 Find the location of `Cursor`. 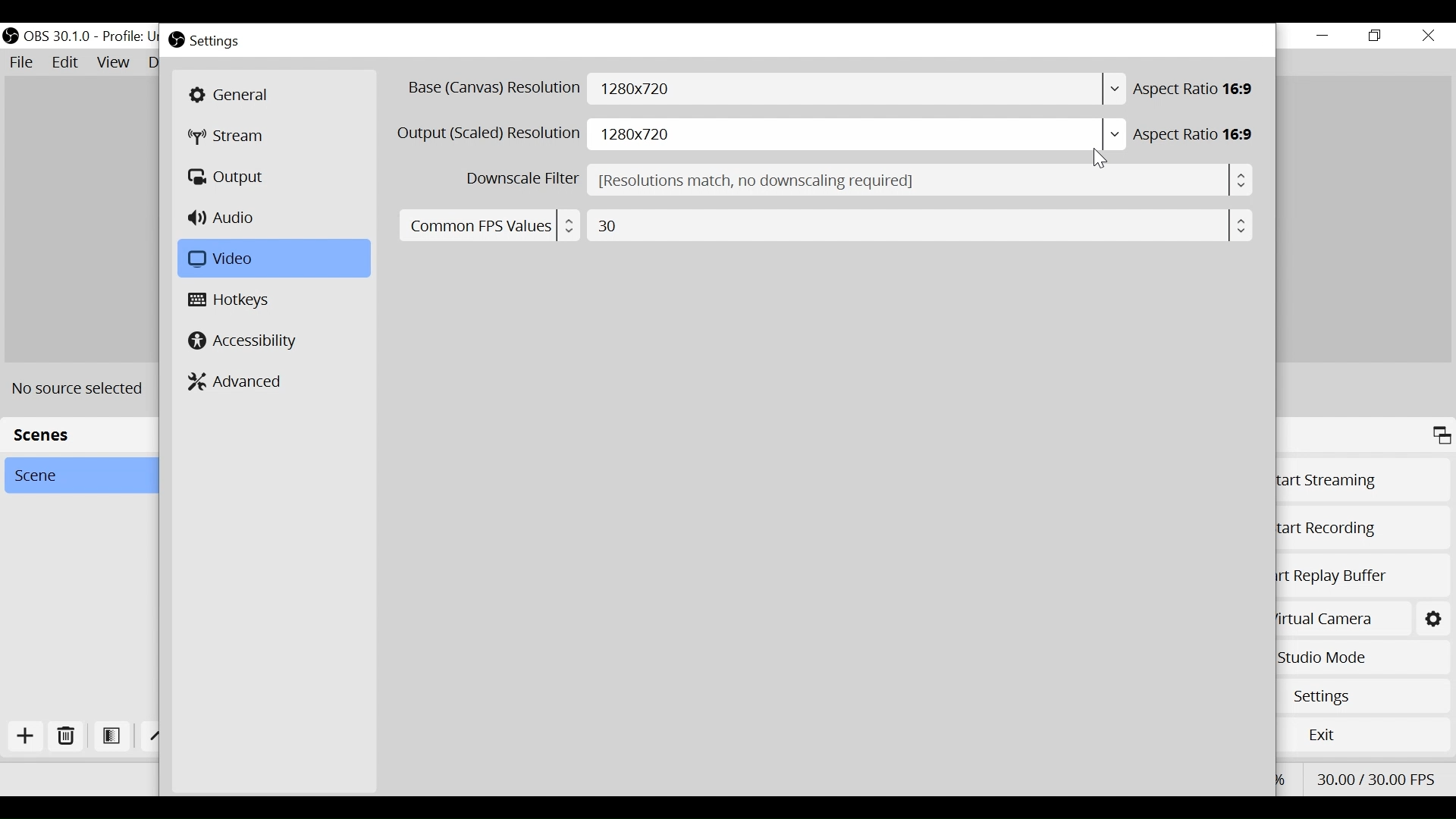

Cursor is located at coordinates (1103, 158).